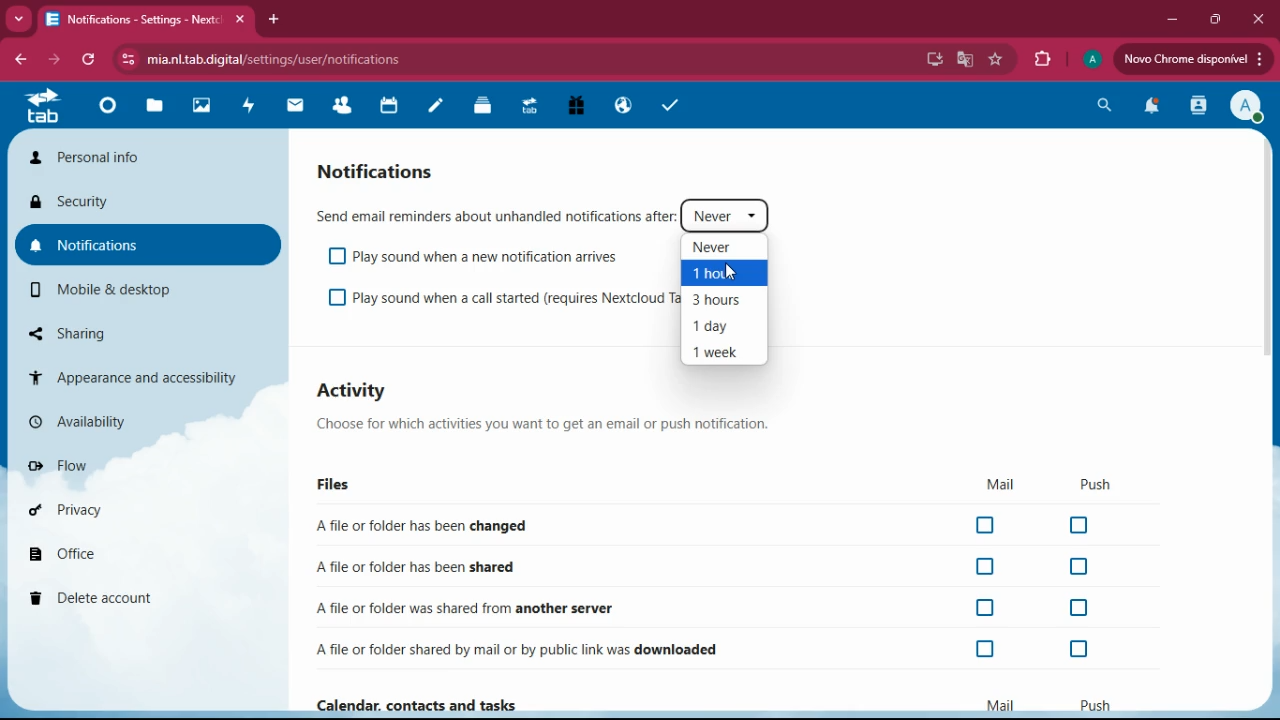 The image size is (1280, 720). I want to click on push, so click(1094, 488).